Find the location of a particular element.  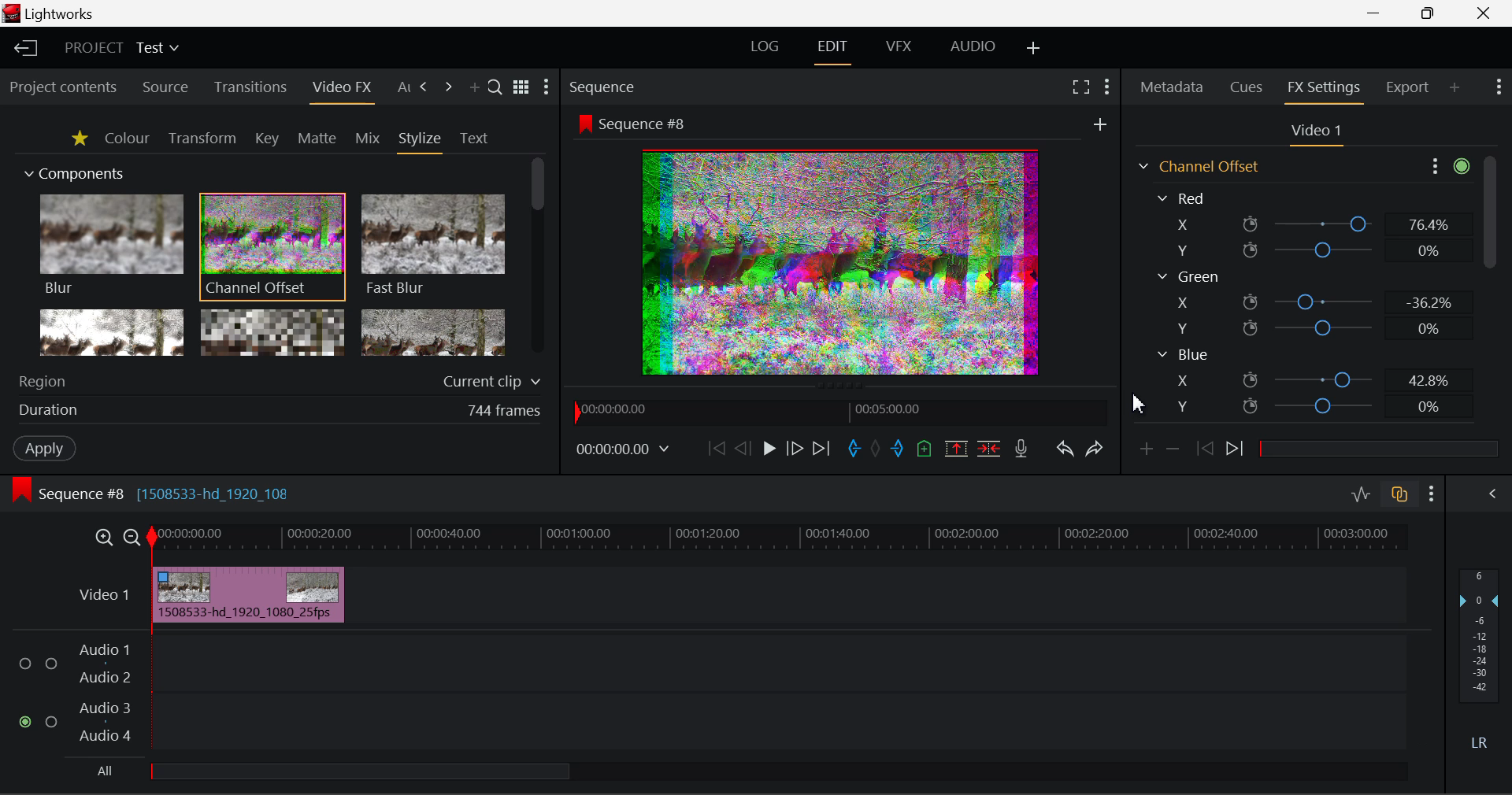

VFX Layout is located at coordinates (899, 50).